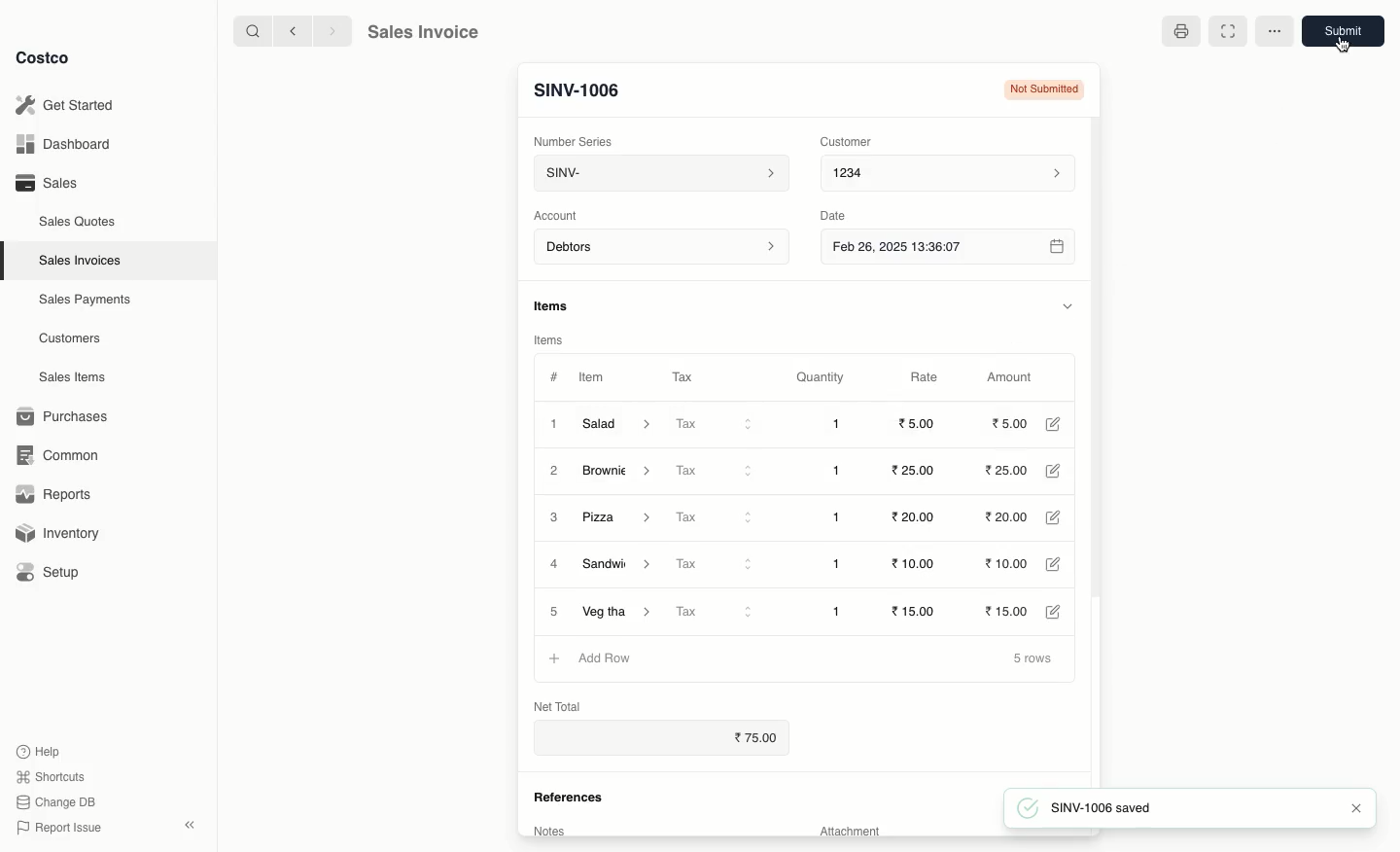 The height and width of the screenshot is (852, 1400). What do you see at coordinates (714, 425) in the screenshot?
I see `Tax` at bounding box center [714, 425].